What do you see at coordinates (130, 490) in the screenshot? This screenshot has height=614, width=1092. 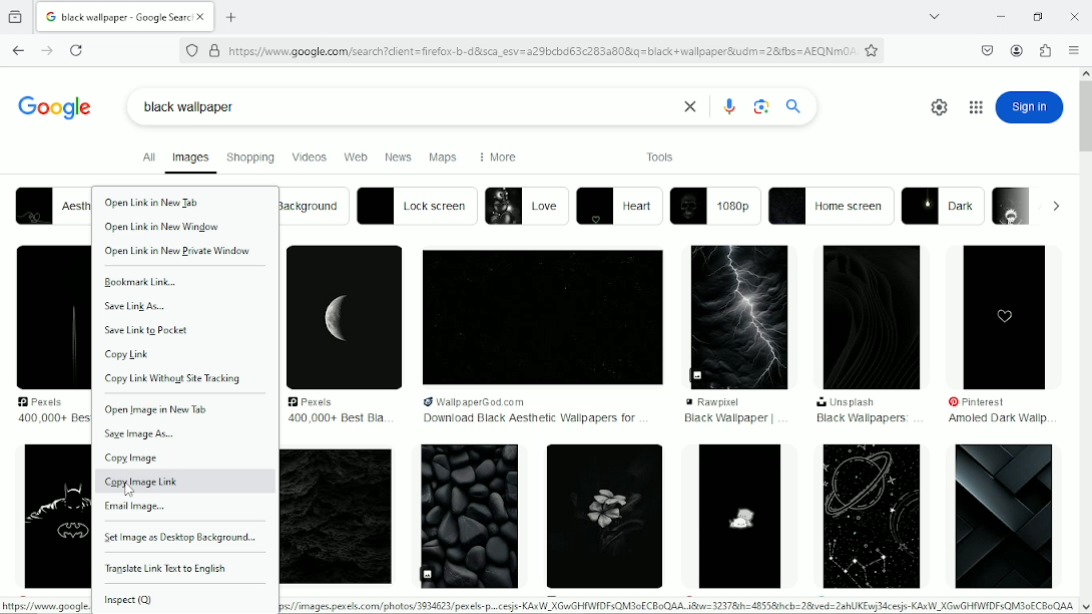 I see `cursor` at bounding box center [130, 490].